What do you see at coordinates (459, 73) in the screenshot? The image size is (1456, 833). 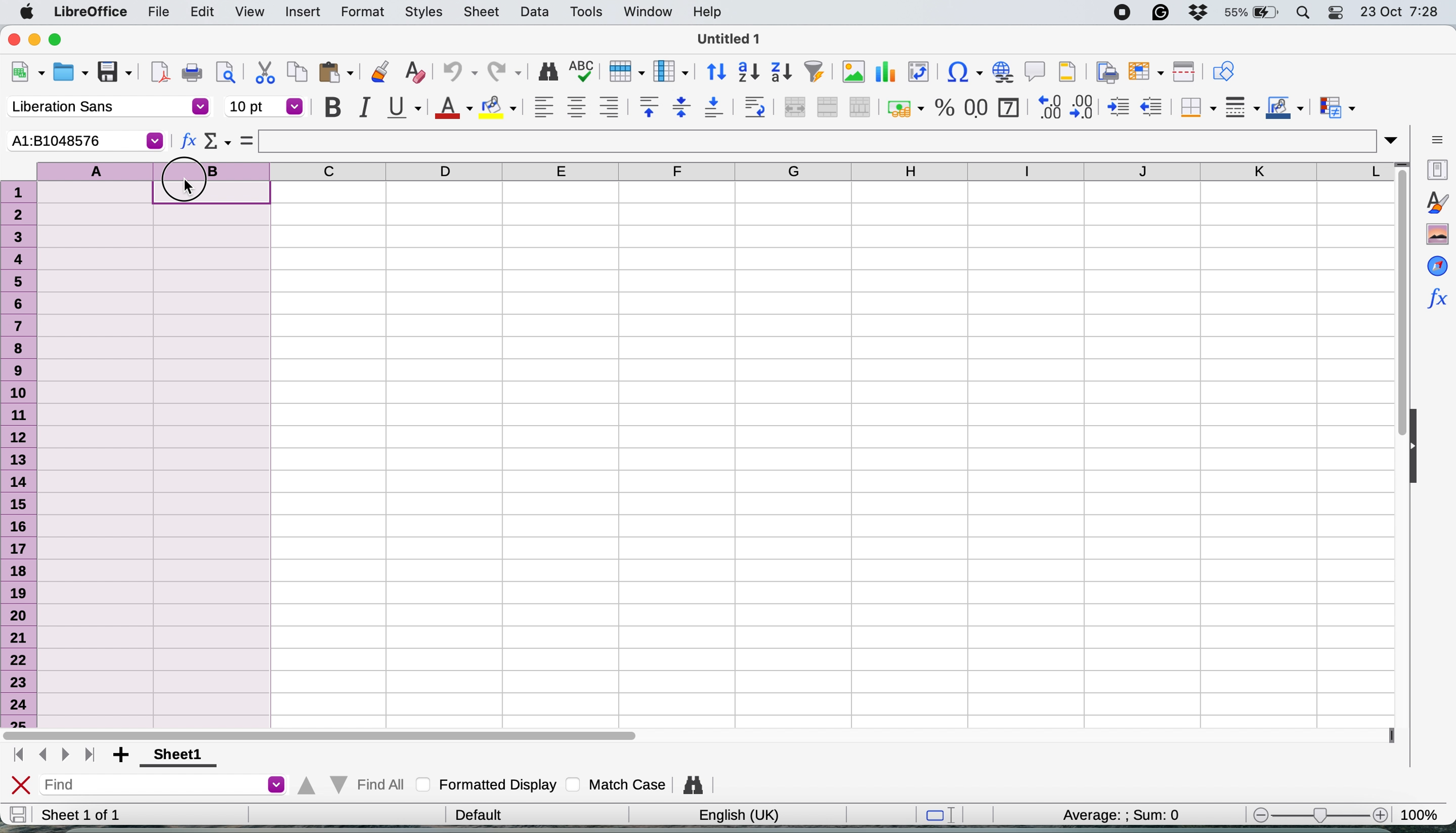 I see `undo` at bounding box center [459, 73].